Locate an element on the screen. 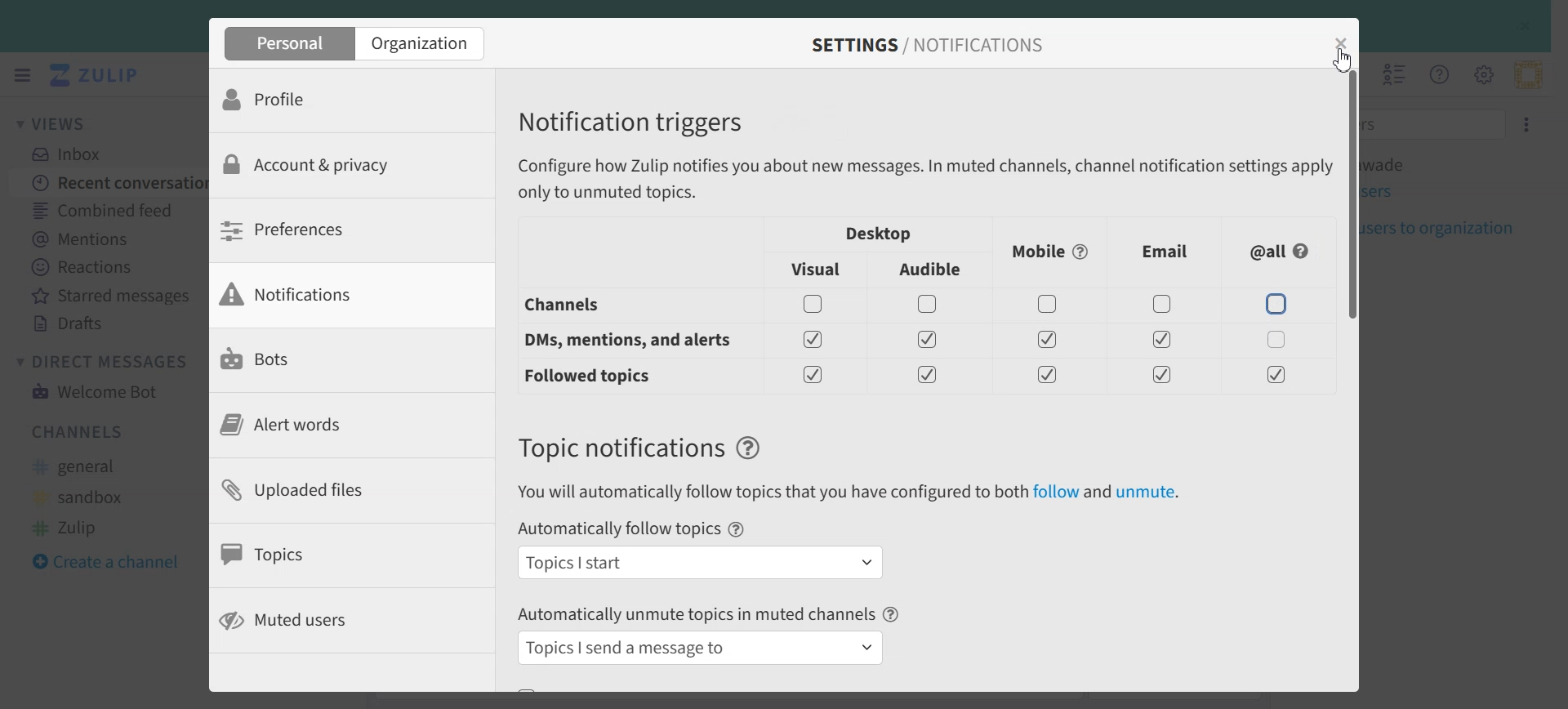 Image resolution: width=1568 pixels, height=709 pixels. Inbox is located at coordinates (74, 154).